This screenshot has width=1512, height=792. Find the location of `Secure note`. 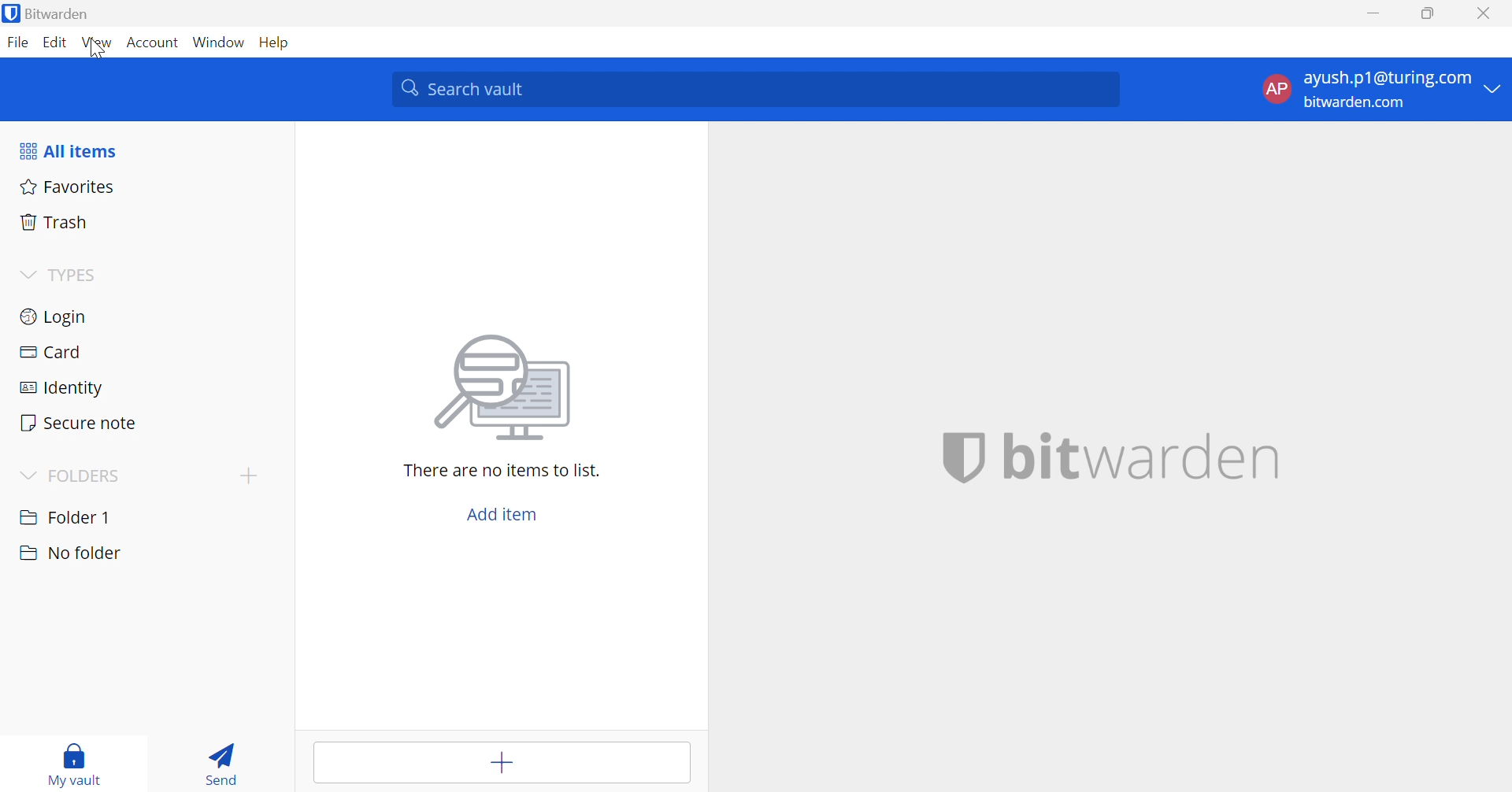

Secure note is located at coordinates (80, 423).